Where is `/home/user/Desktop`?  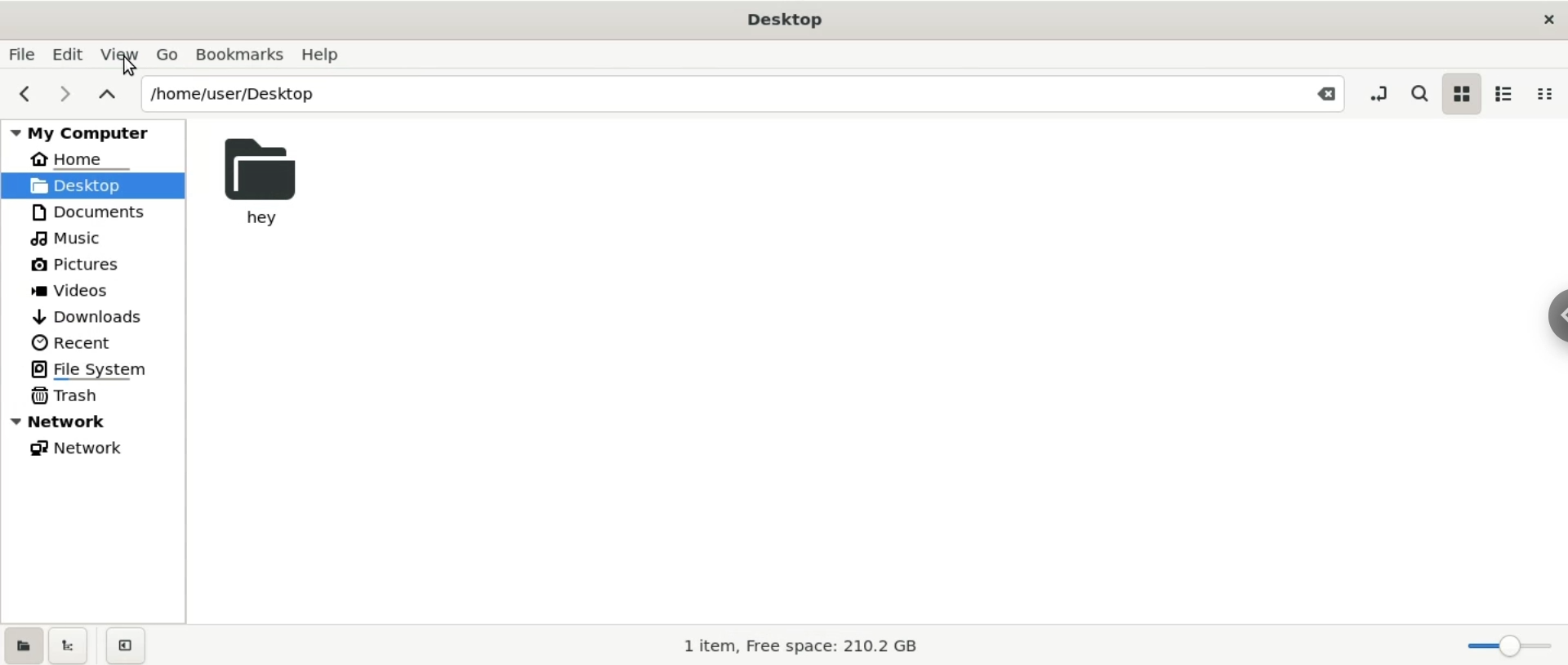
/home/user/Desktop is located at coordinates (706, 94).